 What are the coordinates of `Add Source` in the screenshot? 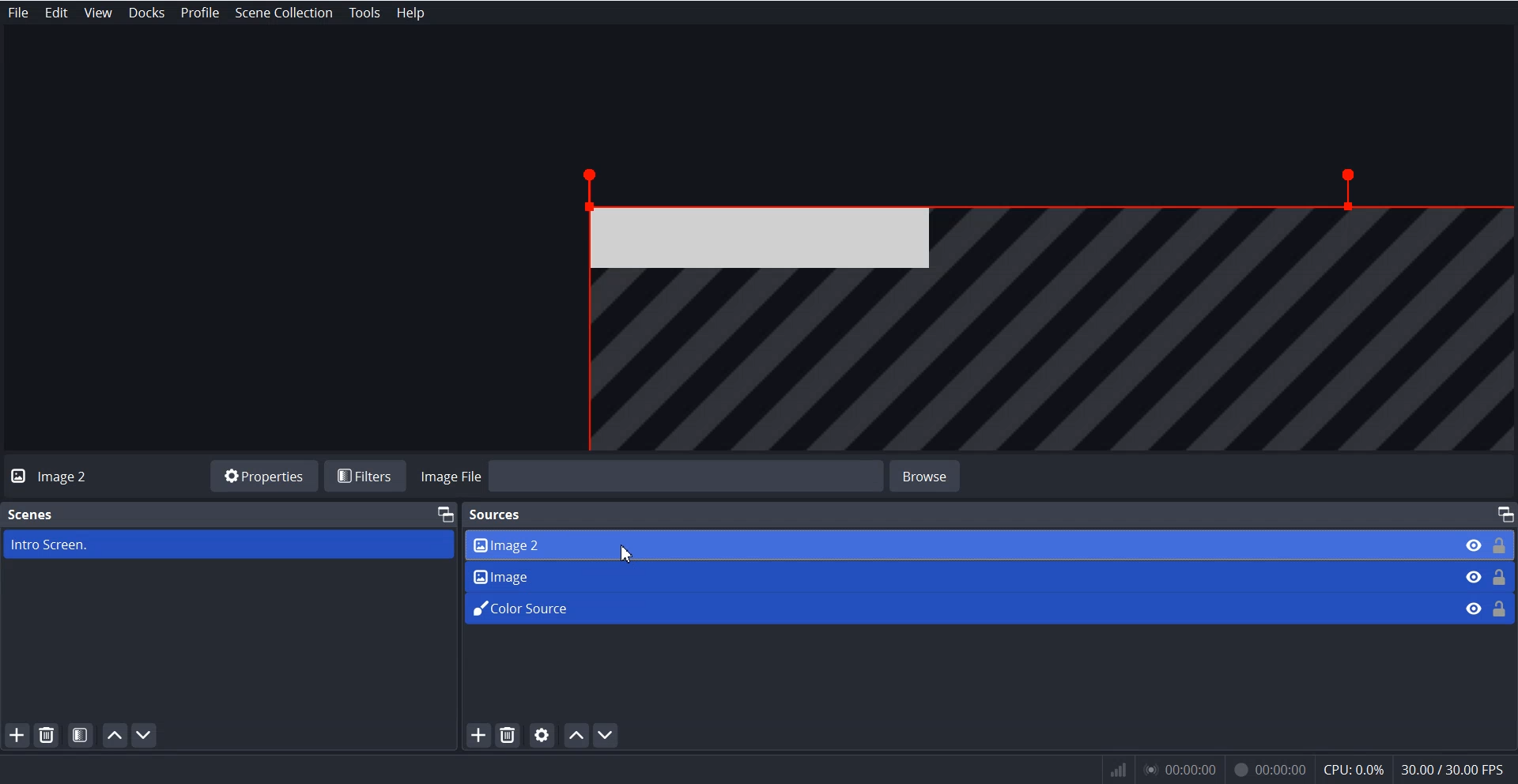 It's located at (476, 736).